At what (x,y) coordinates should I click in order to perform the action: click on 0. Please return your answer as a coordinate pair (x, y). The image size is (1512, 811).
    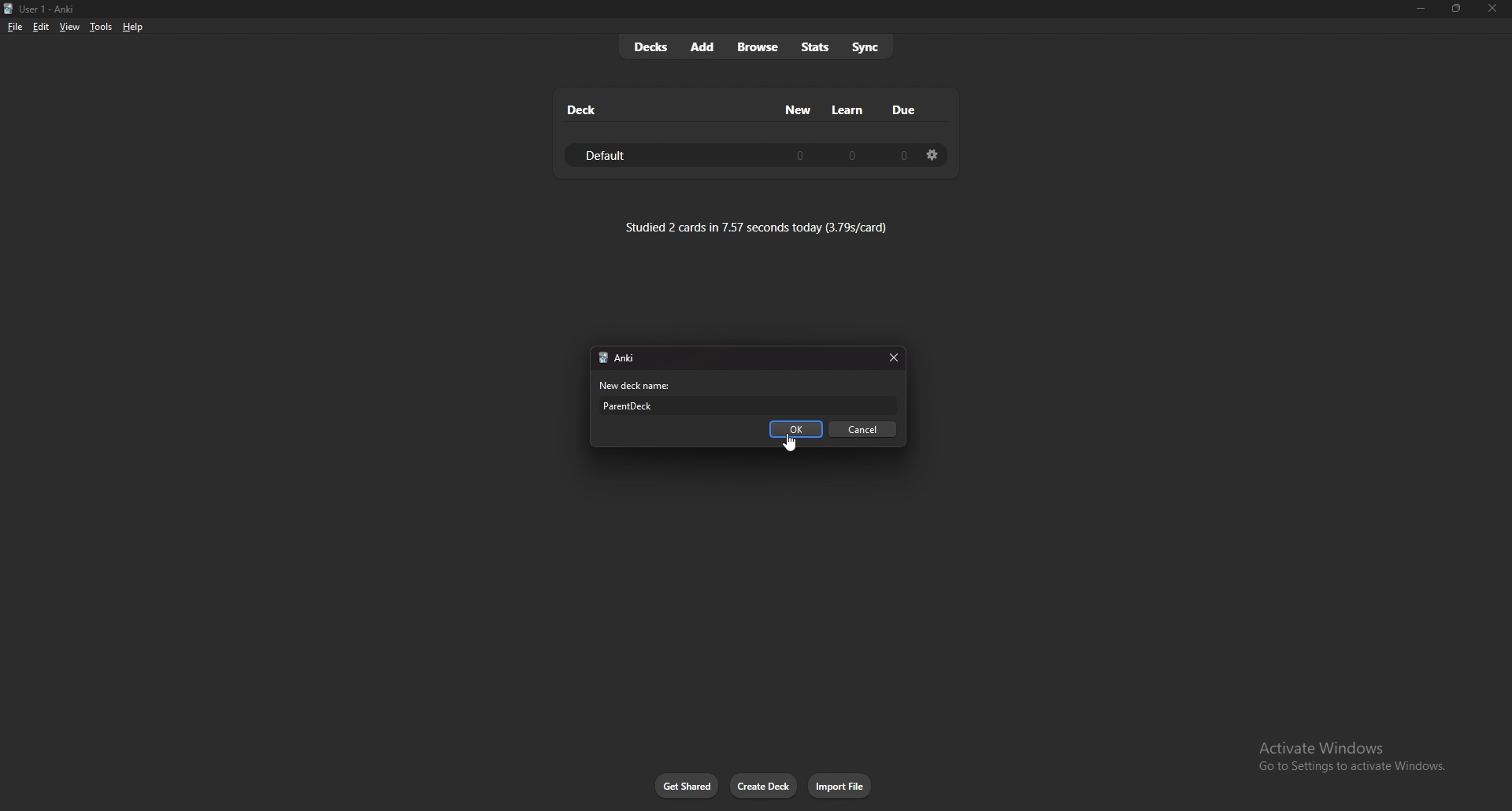
    Looking at the image, I should click on (853, 154).